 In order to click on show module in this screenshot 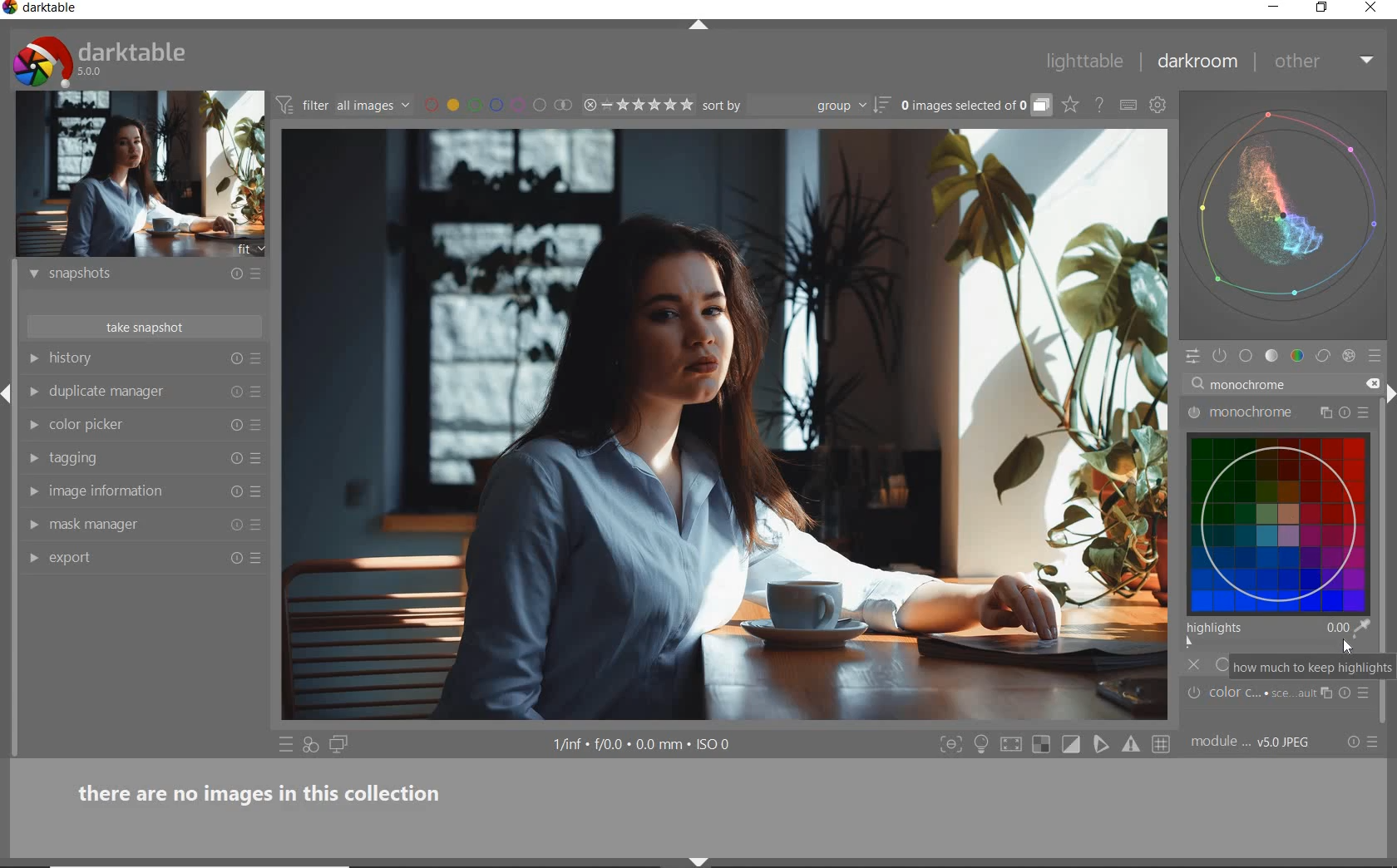, I will do `click(31, 491)`.